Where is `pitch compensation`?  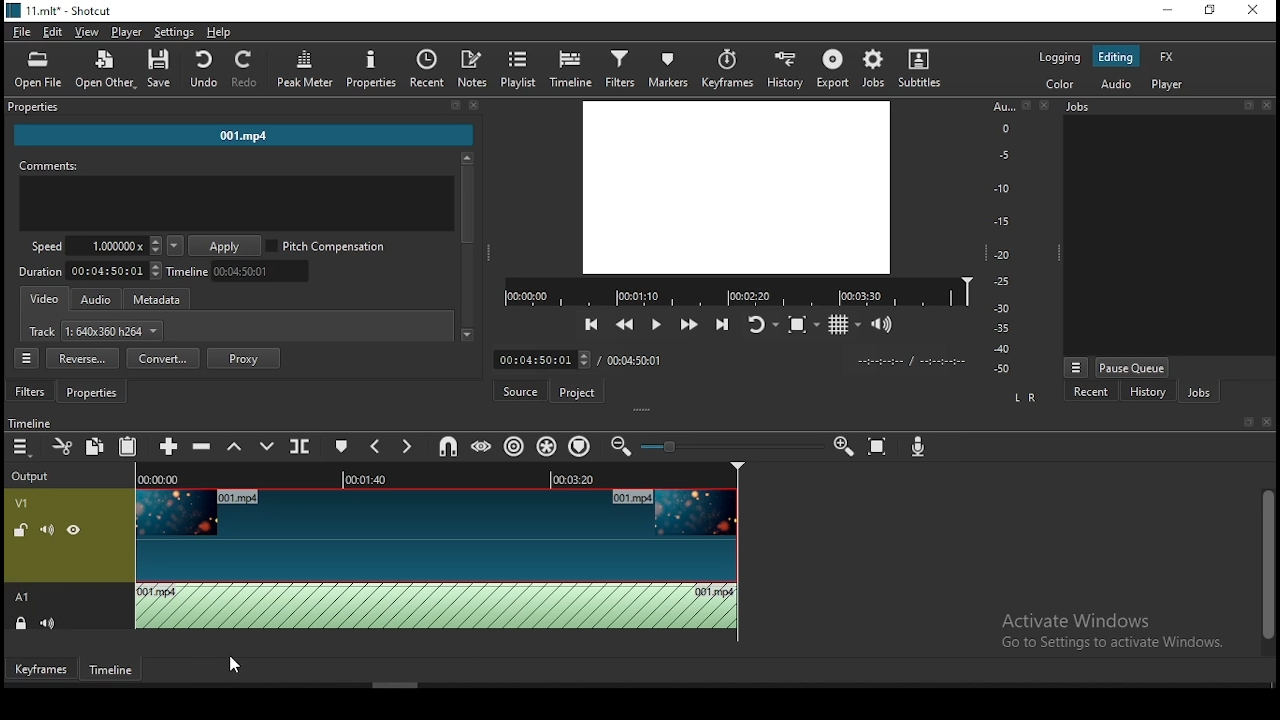
pitch compensation is located at coordinates (326, 244).